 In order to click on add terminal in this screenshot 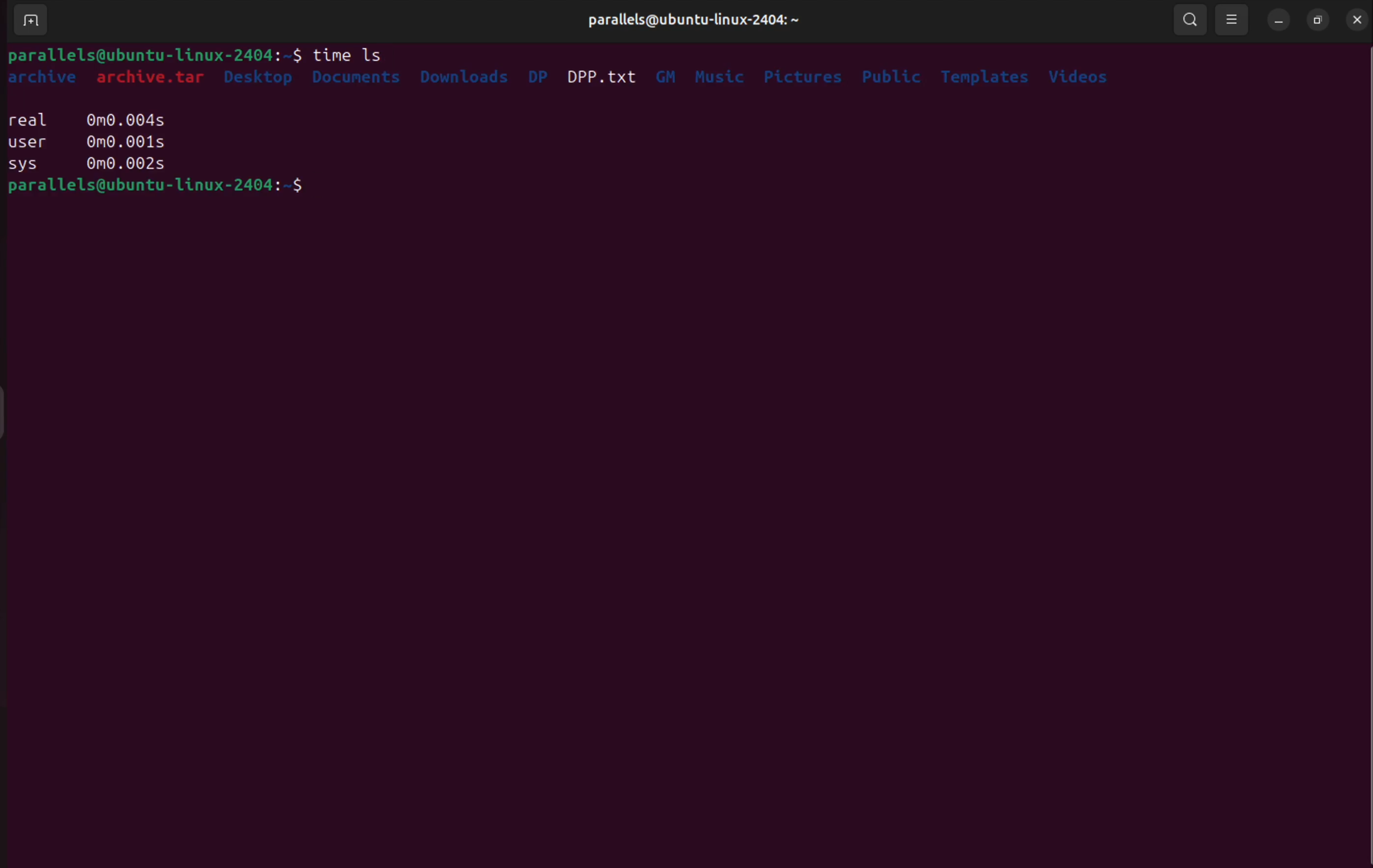, I will do `click(36, 19)`.